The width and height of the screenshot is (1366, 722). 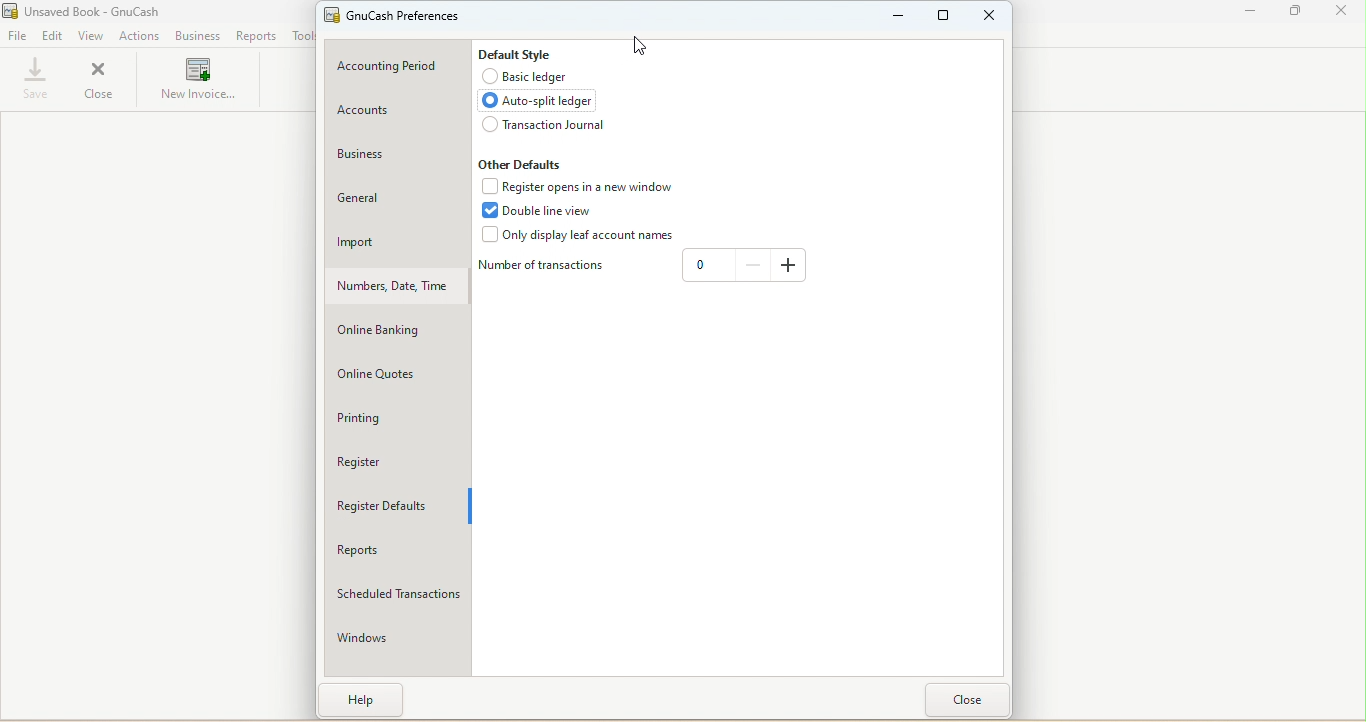 I want to click on Double line view, so click(x=551, y=209).